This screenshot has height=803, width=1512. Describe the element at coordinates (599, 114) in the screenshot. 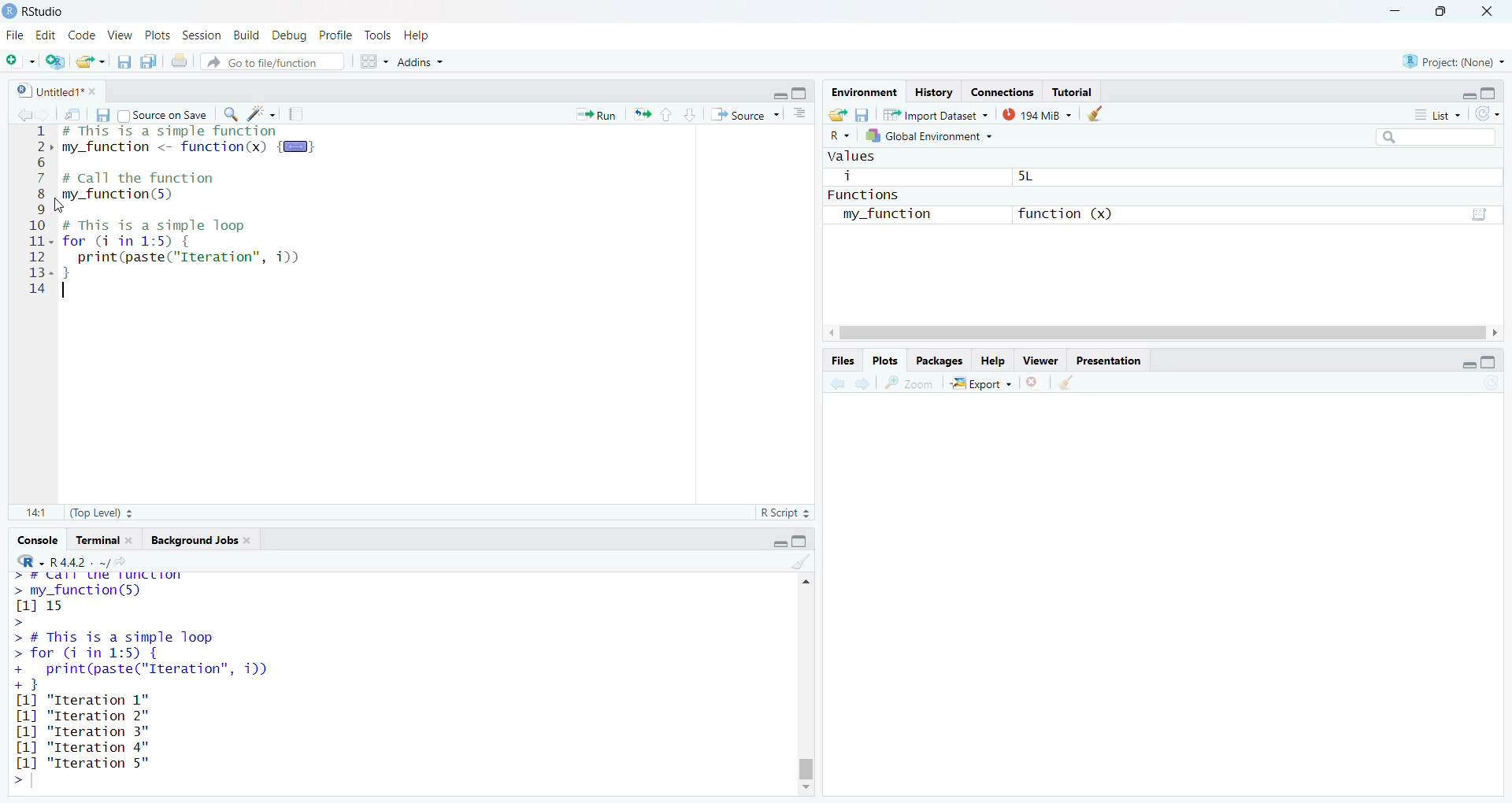

I see `run the current line or selection` at that location.